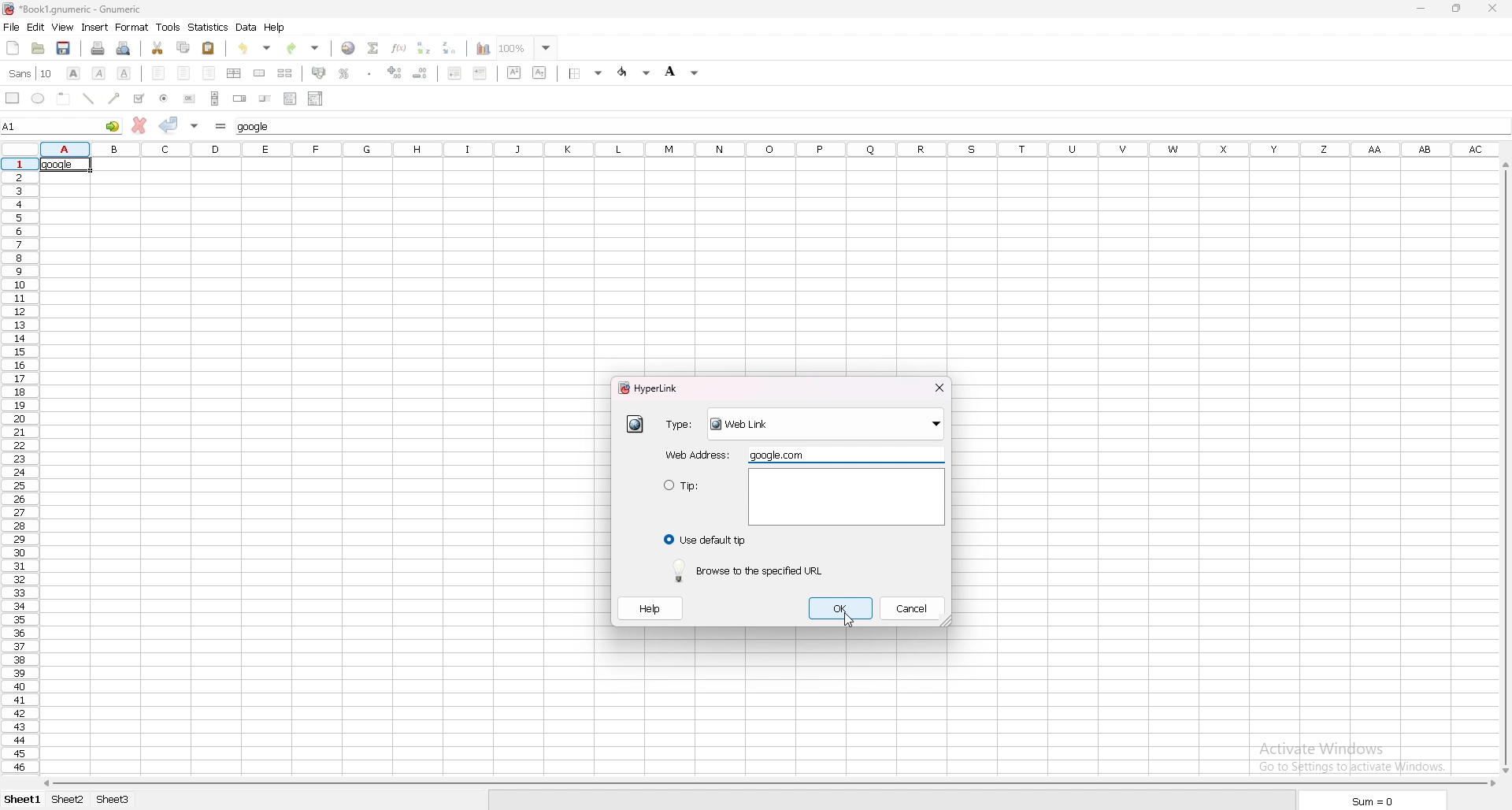 The width and height of the screenshot is (1512, 810). What do you see at coordinates (209, 49) in the screenshot?
I see `paste` at bounding box center [209, 49].